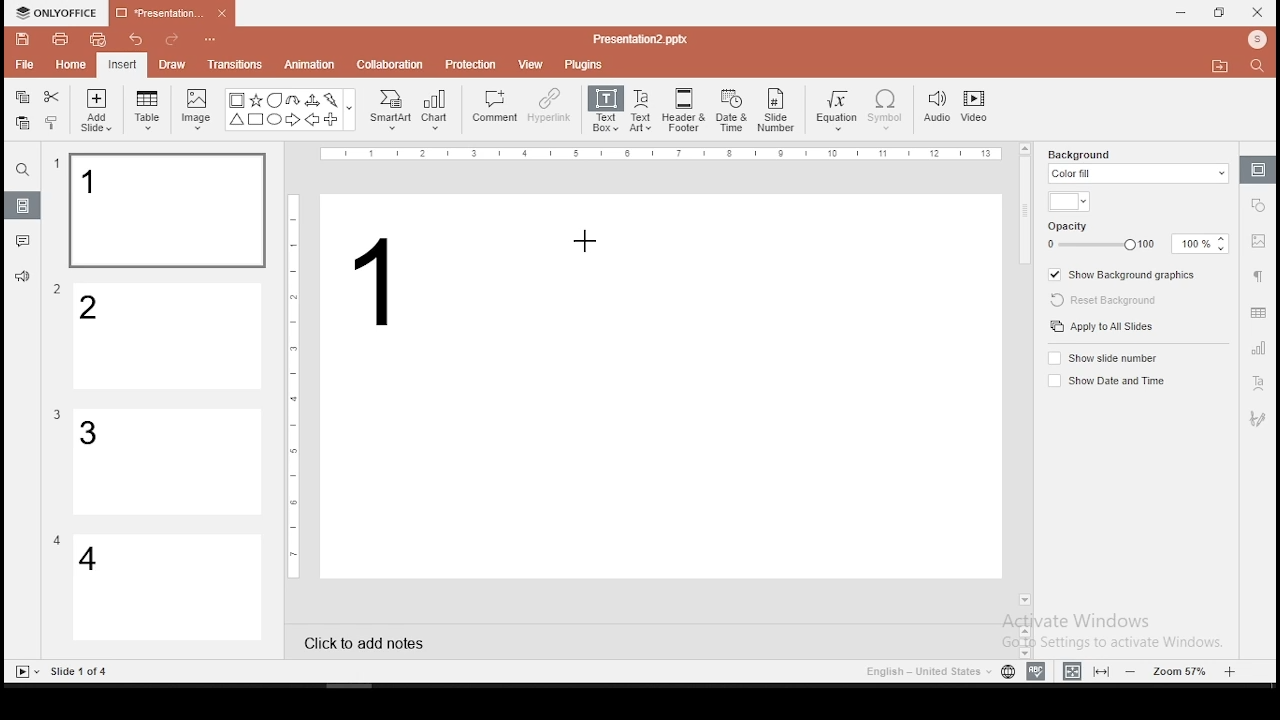 This screenshot has width=1280, height=720. I want to click on , so click(351, 110).